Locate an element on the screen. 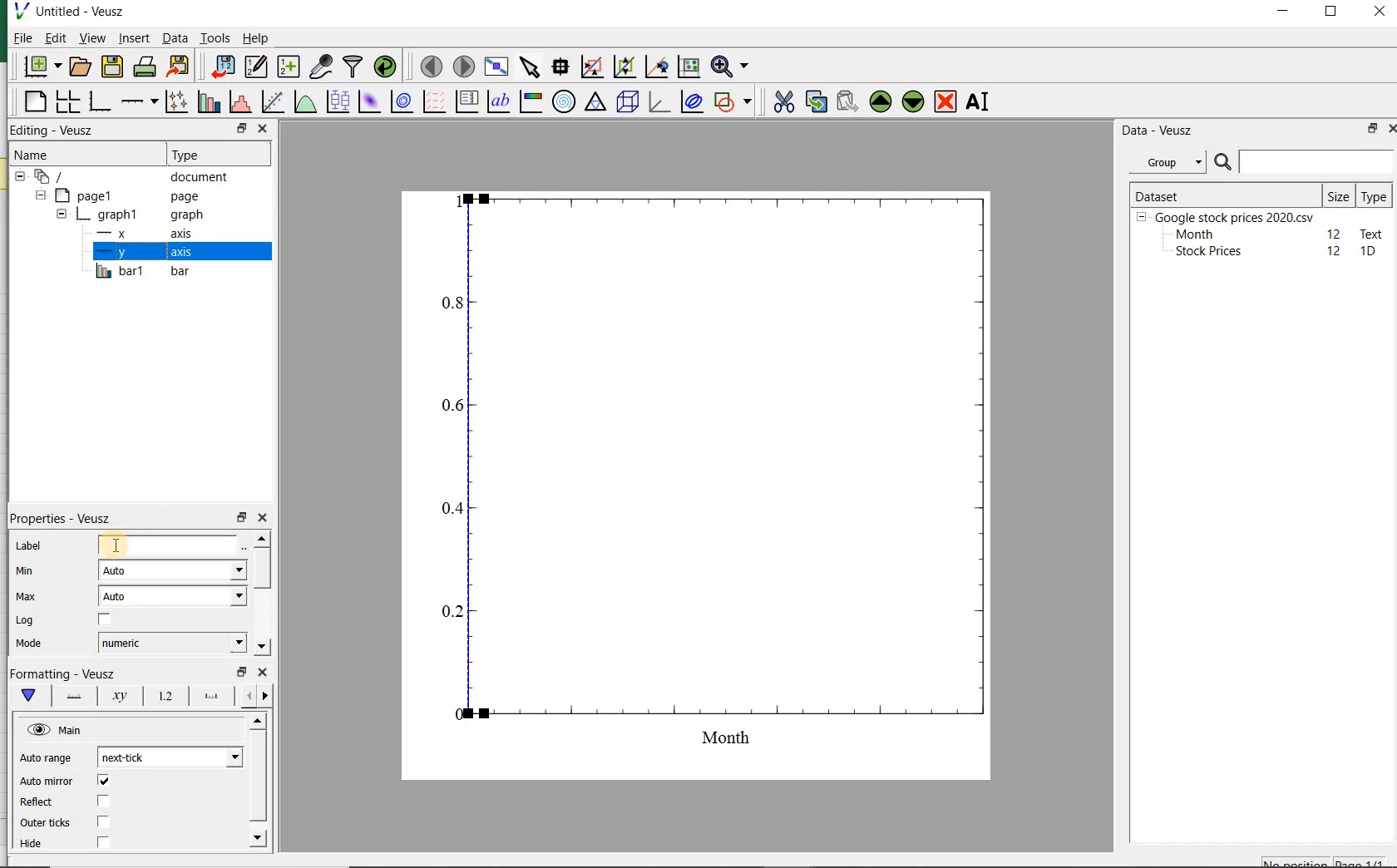  Main is located at coordinates (56, 730).